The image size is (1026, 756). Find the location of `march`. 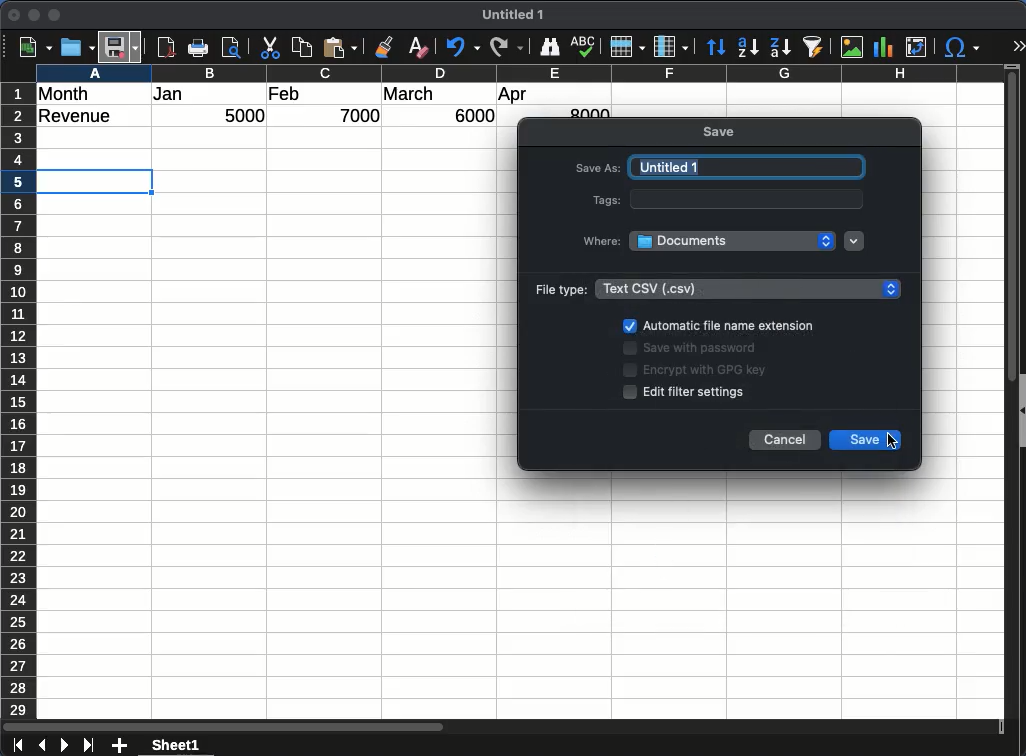

march is located at coordinates (409, 94).